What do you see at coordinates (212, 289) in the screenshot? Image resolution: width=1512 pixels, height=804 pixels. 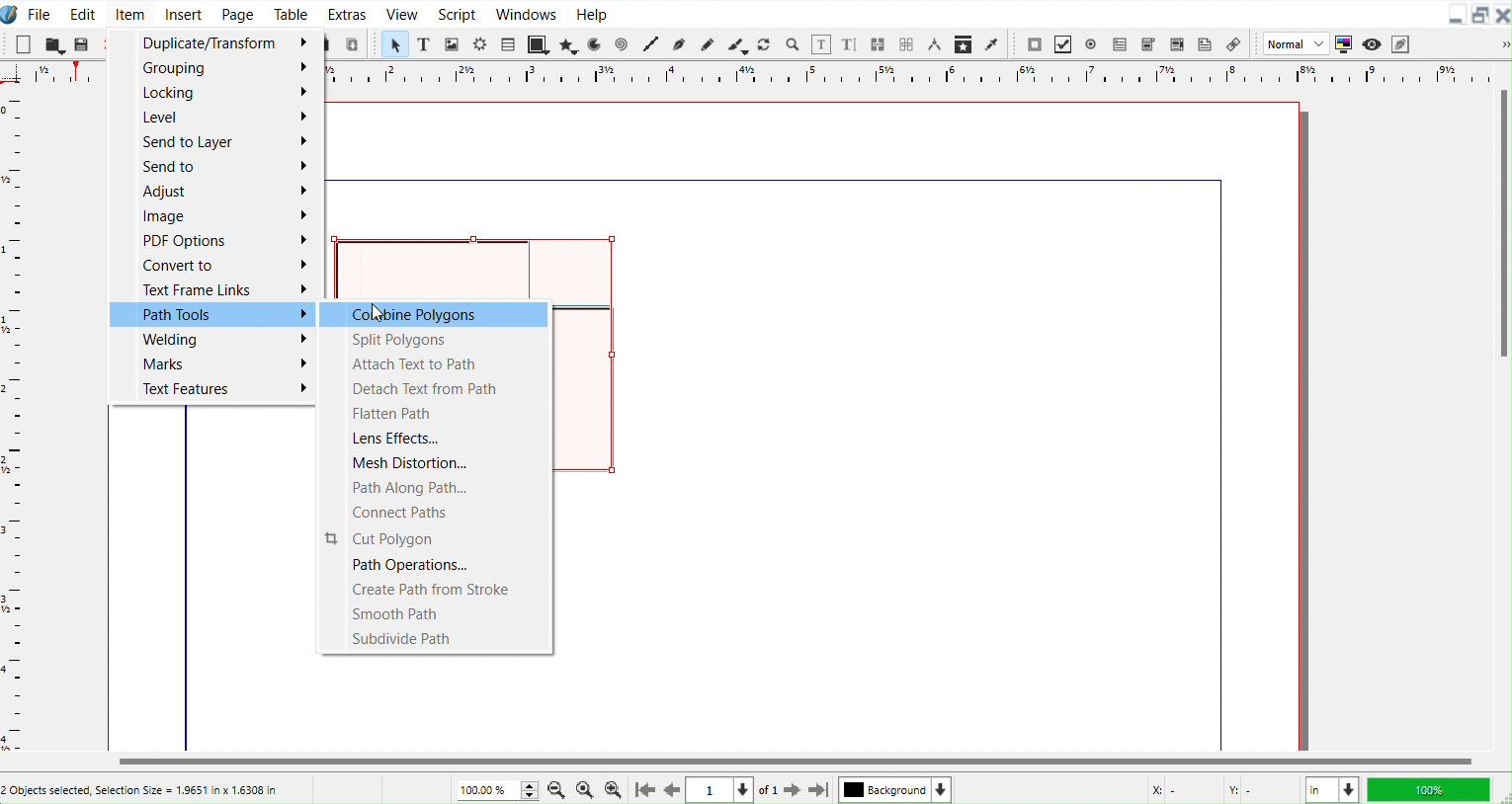 I see `Text Frame Links` at bounding box center [212, 289].